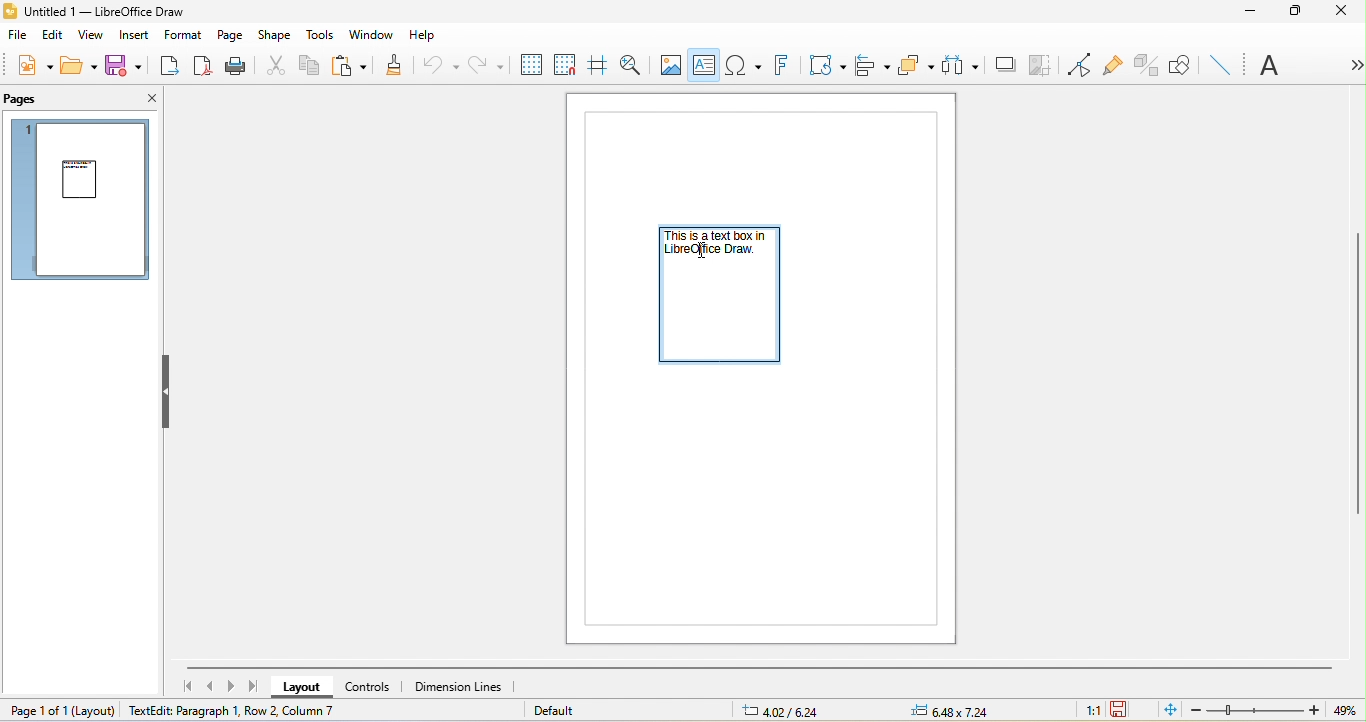 The width and height of the screenshot is (1366, 722). What do you see at coordinates (181, 685) in the screenshot?
I see `first page` at bounding box center [181, 685].